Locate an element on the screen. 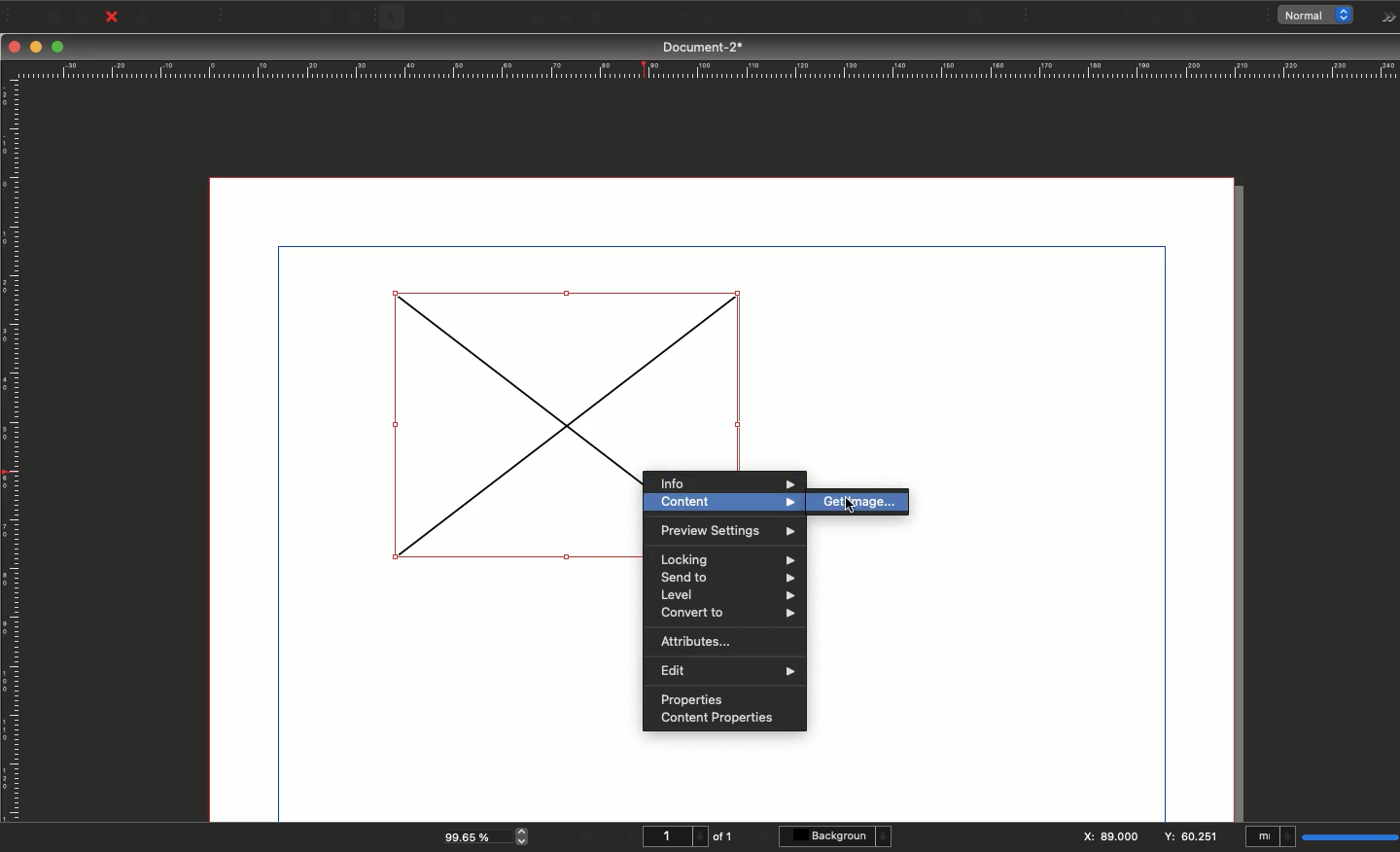 The image size is (1400, 852). Undo is located at coordinates (237, 18).